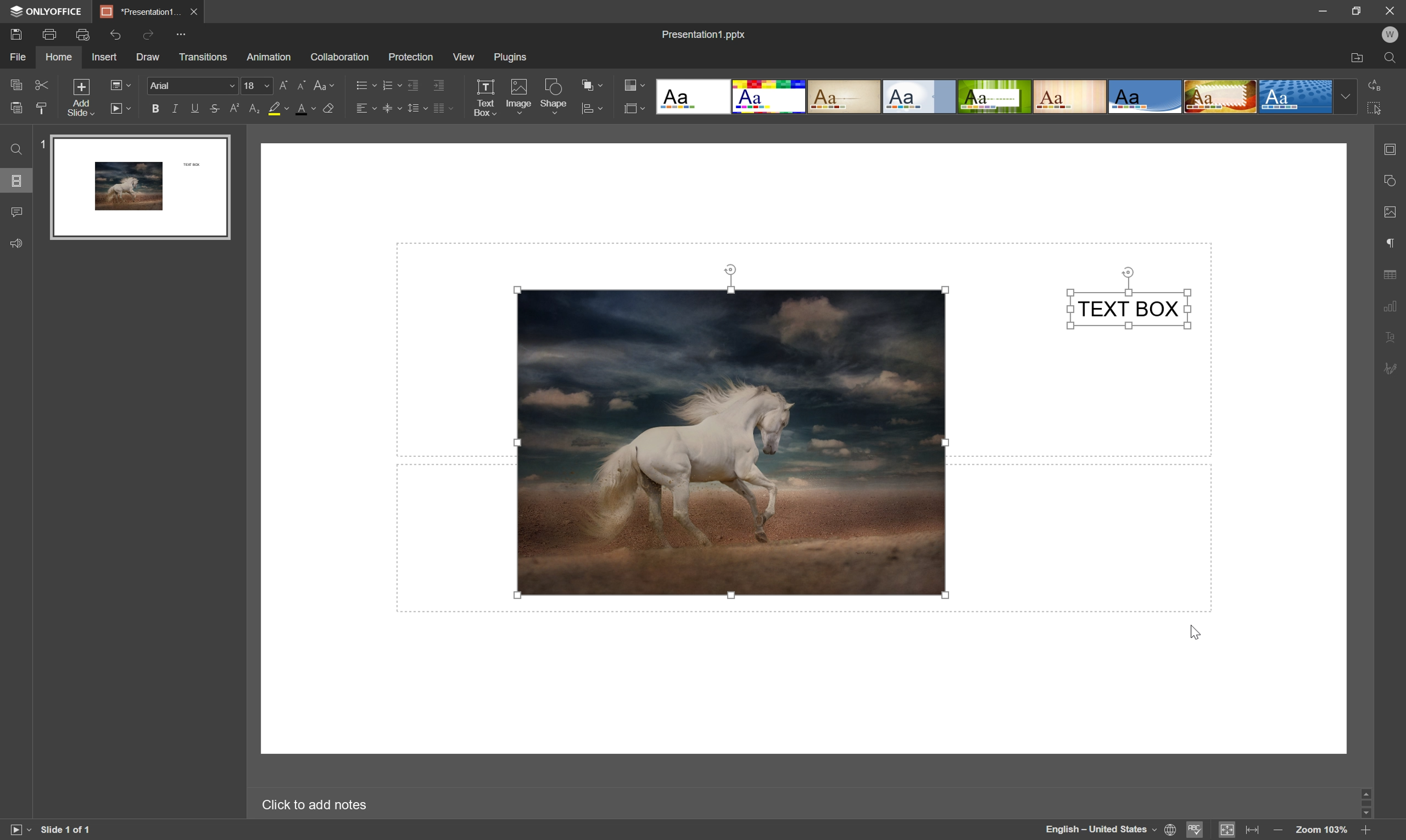 The height and width of the screenshot is (840, 1406). Describe the element at coordinates (1322, 831) in the screenshot. I see `zoom 100%` at that location.